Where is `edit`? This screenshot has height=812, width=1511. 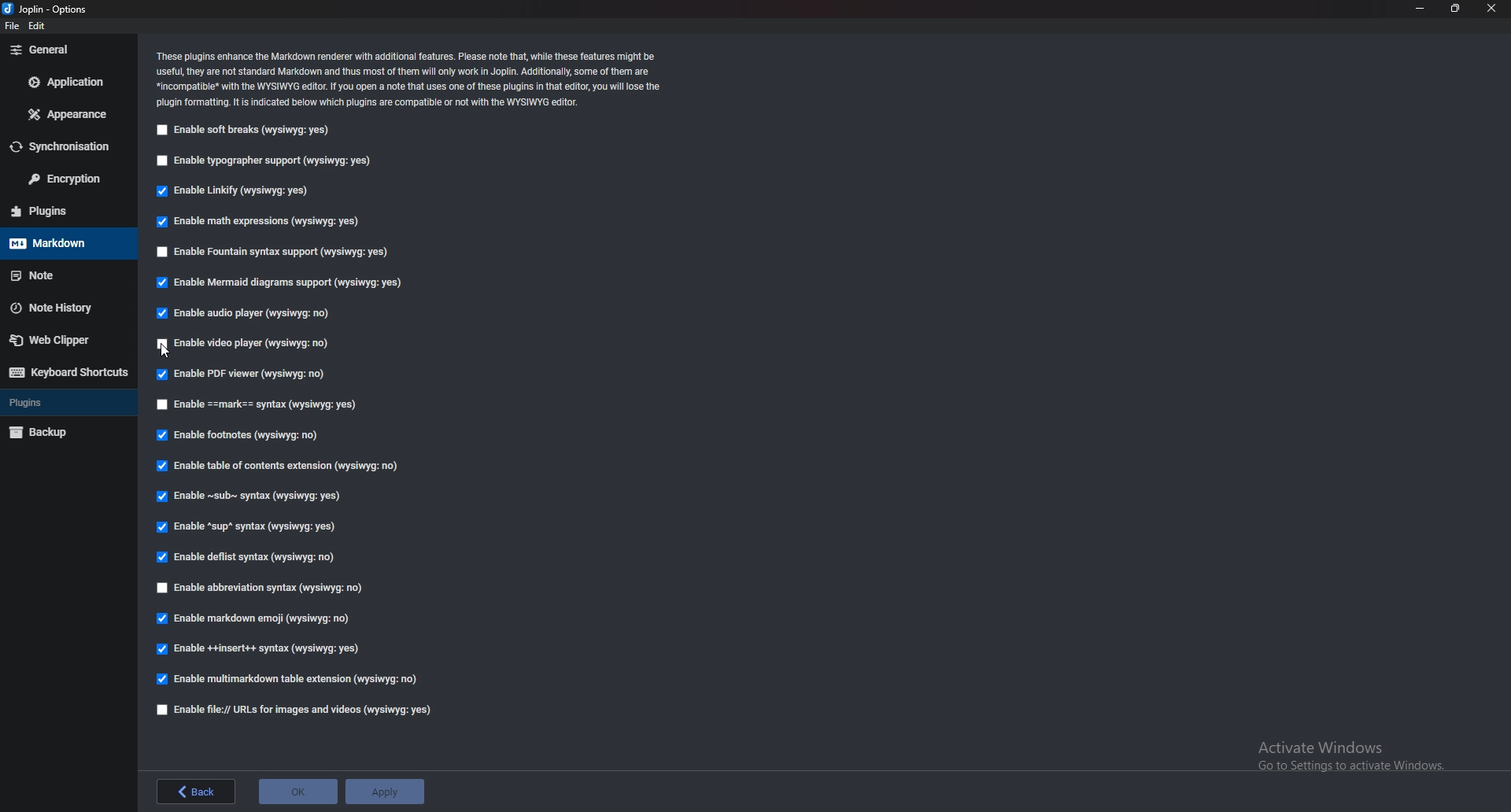
edit is located at coordinates (38, 26).